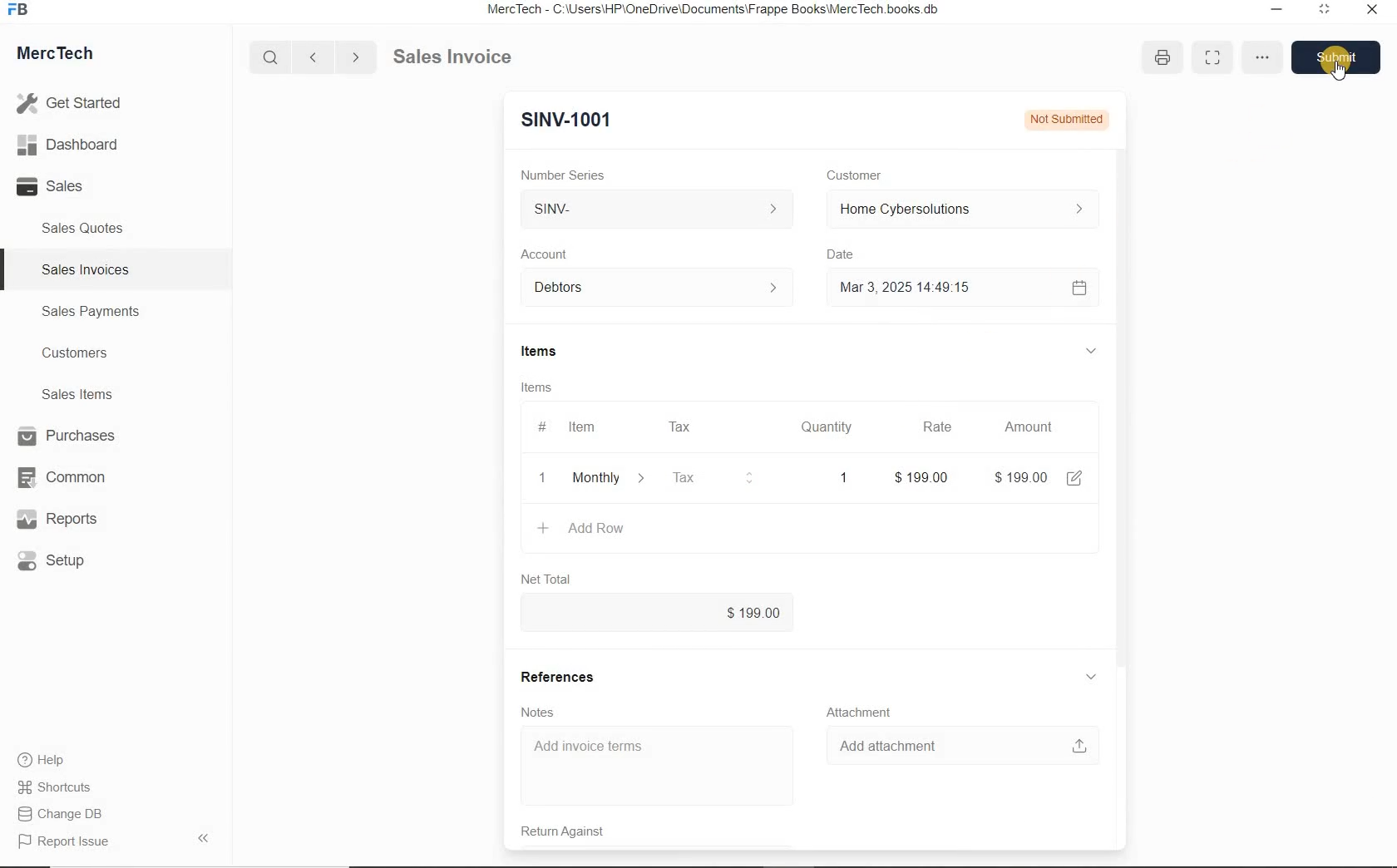 This screenshot has width=1397, height=868. I want to click on Items, so click(548, 353).